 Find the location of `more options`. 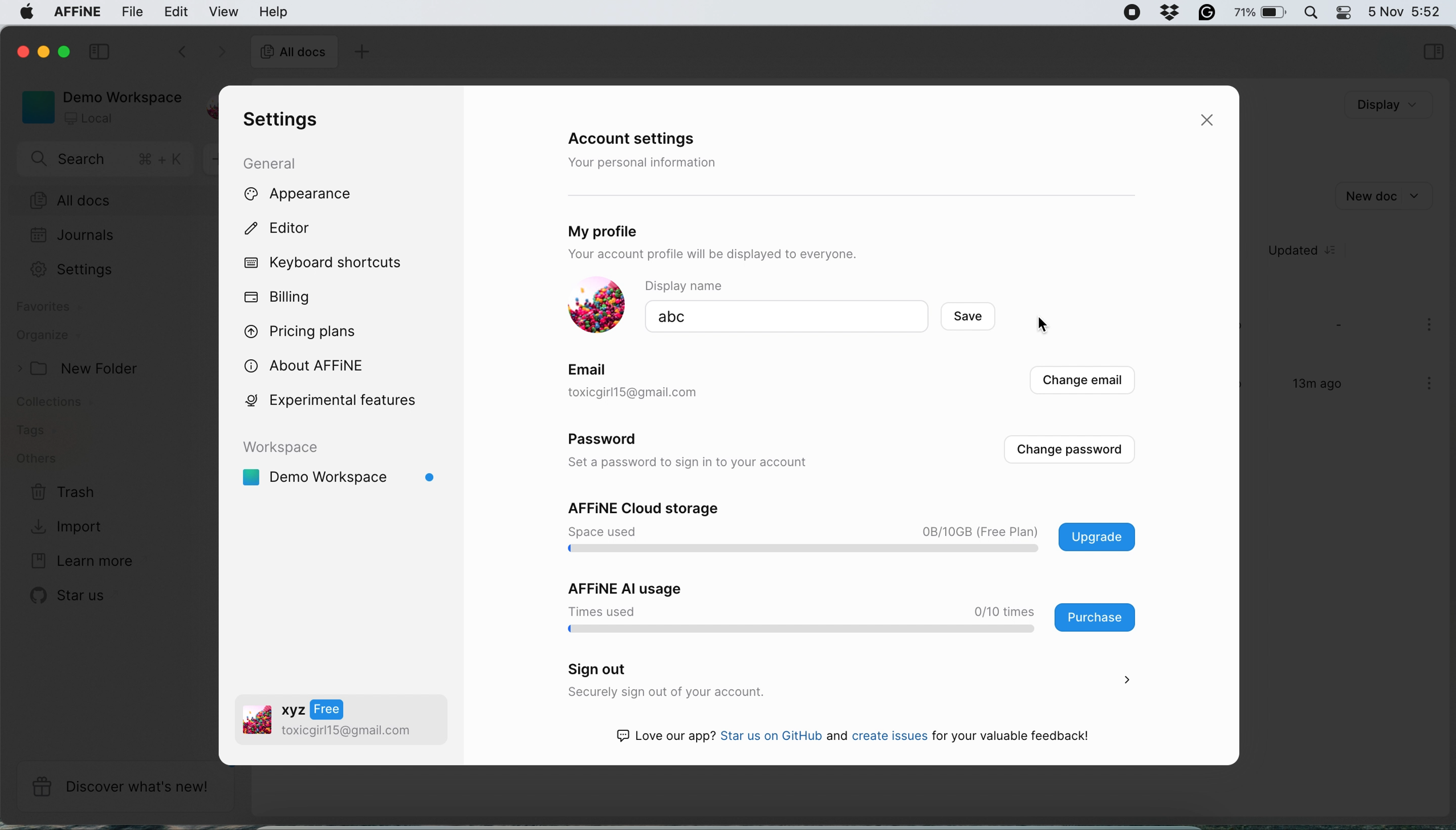

more options is located at coordinates (1431, 385).